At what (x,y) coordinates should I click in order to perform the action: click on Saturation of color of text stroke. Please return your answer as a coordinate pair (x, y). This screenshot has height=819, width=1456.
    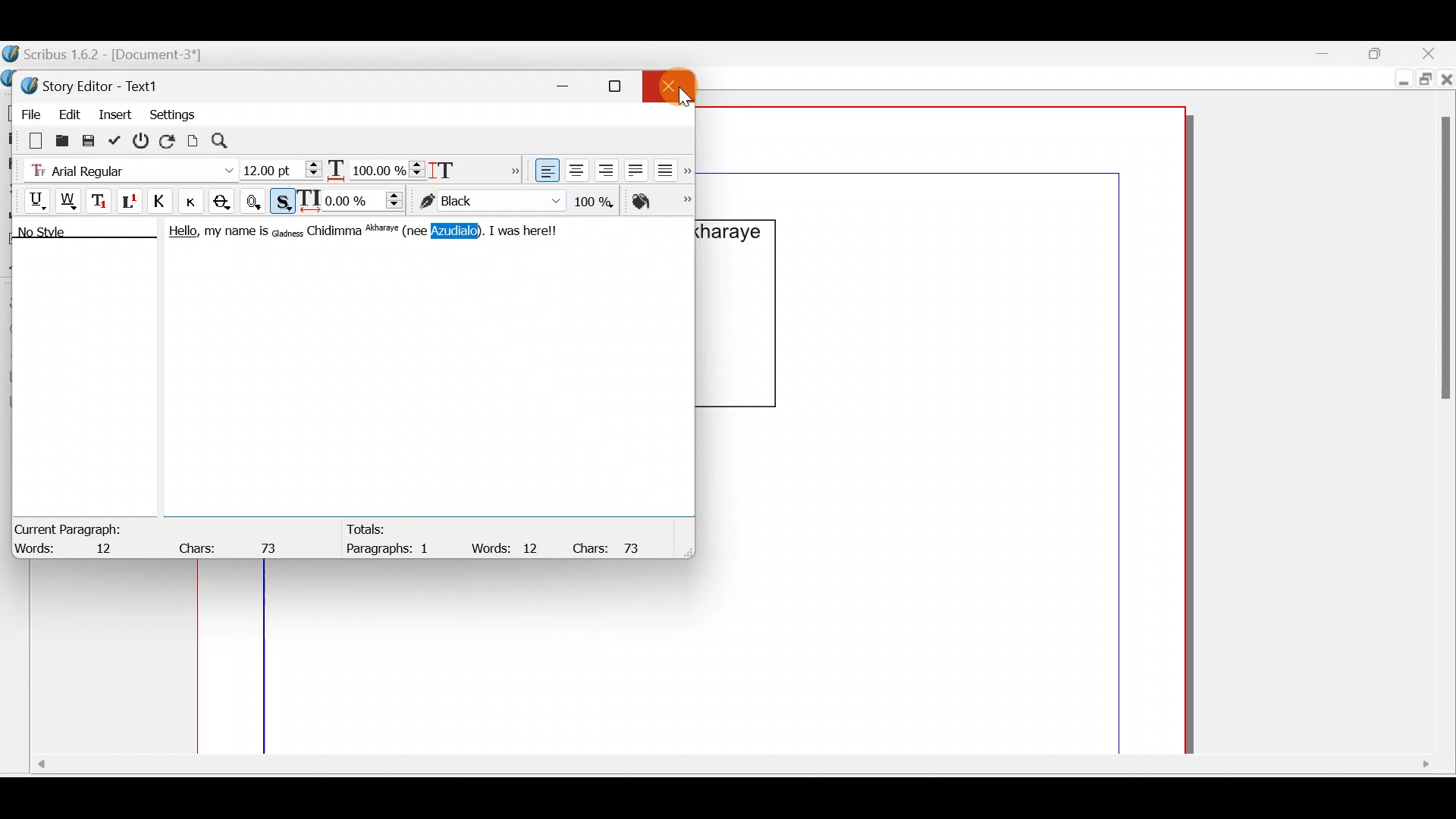
    Looking at the image, I should click on (599, 199).